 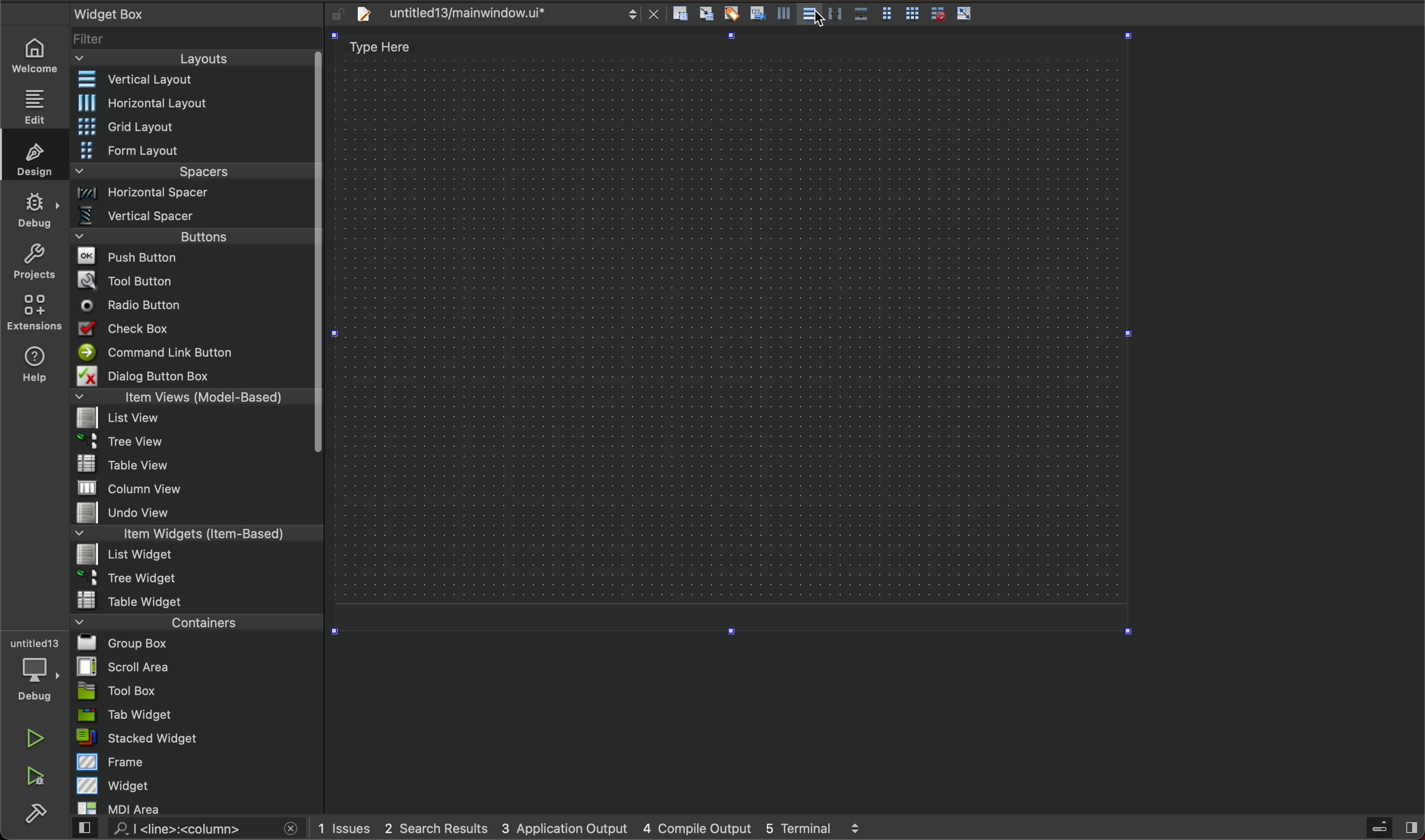 I want to click on home, so click(x=37, y=57).